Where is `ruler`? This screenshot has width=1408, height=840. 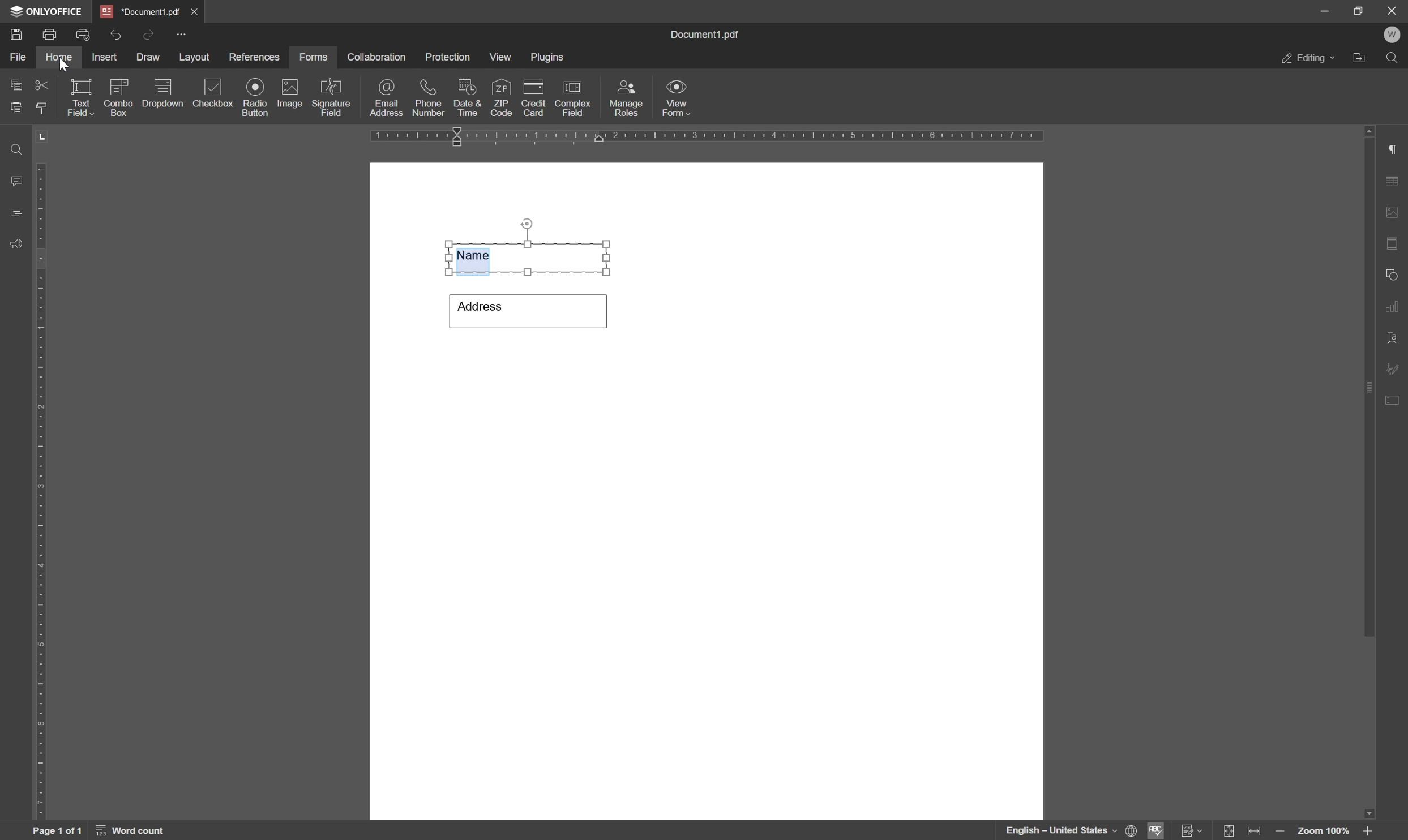 ruler is located at coordinates (712, 137).